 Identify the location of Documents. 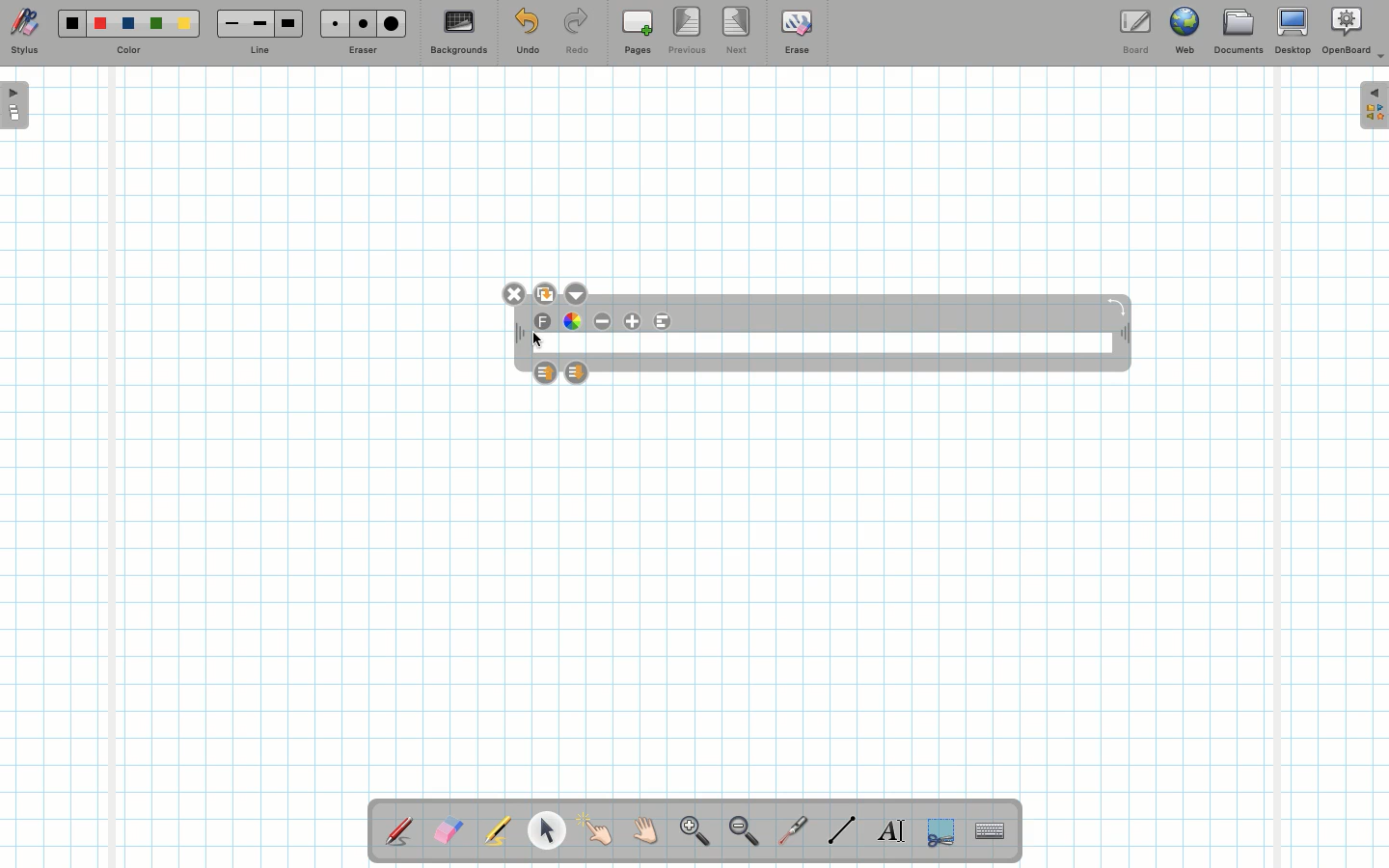
(1238, 34).